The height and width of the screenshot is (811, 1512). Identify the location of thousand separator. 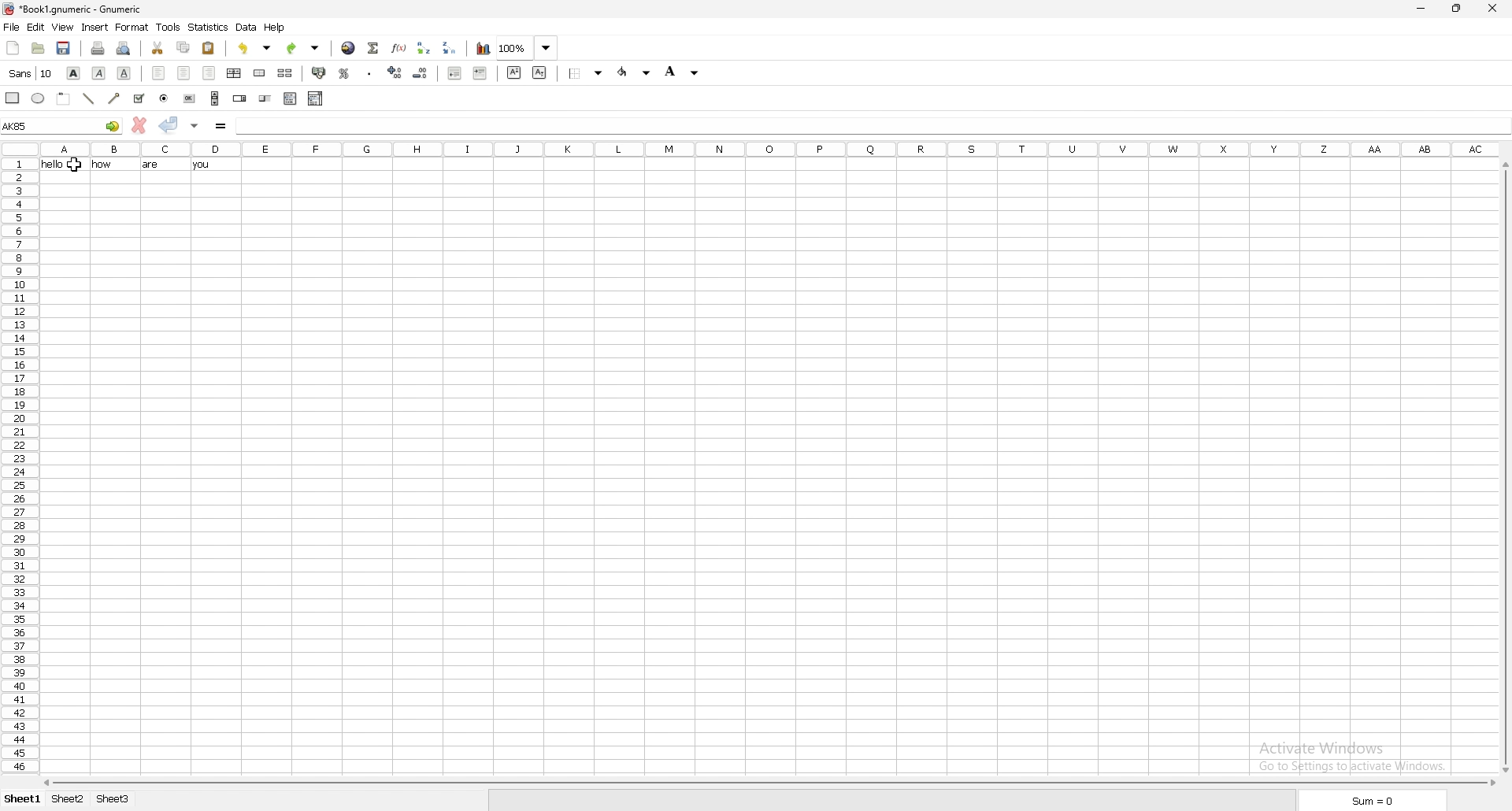
(369, 72).